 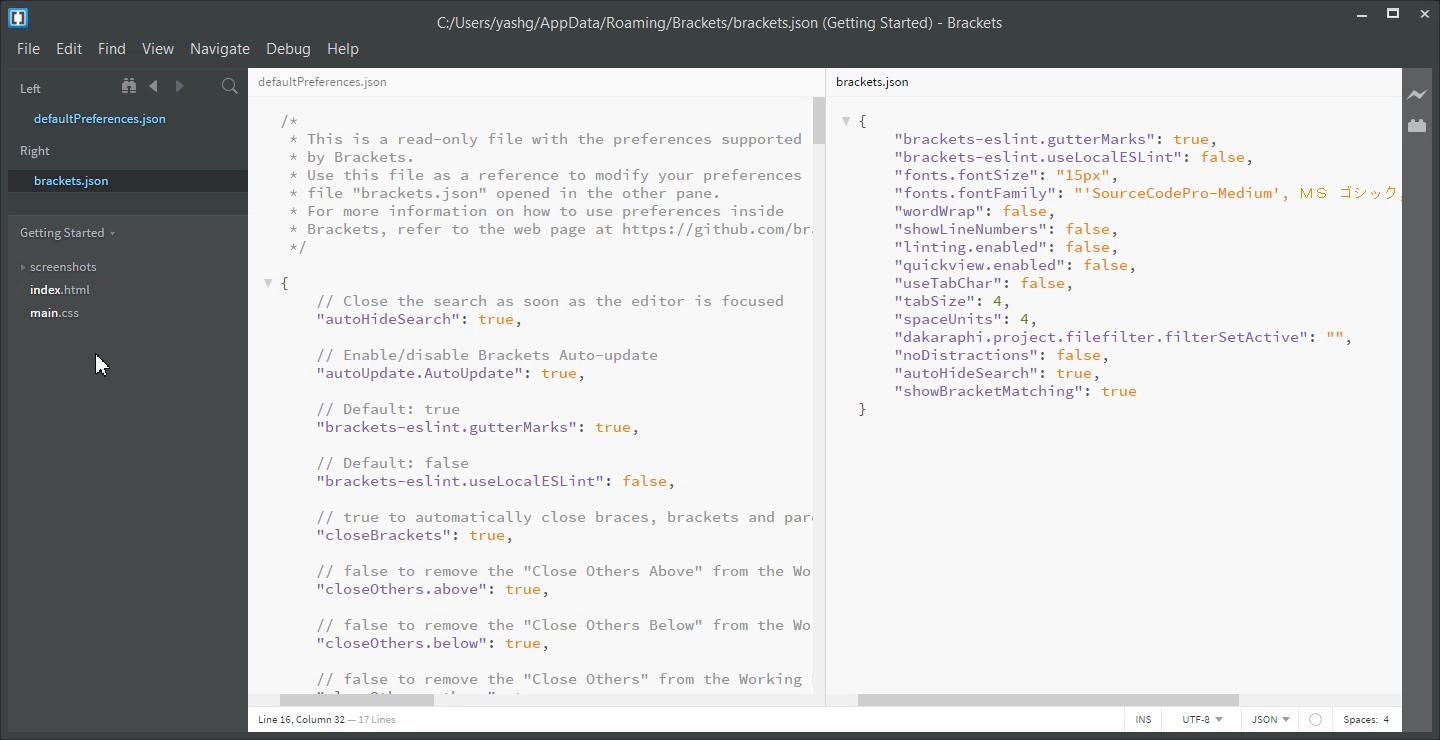 I want to click on File, so click(x=28, y=49).